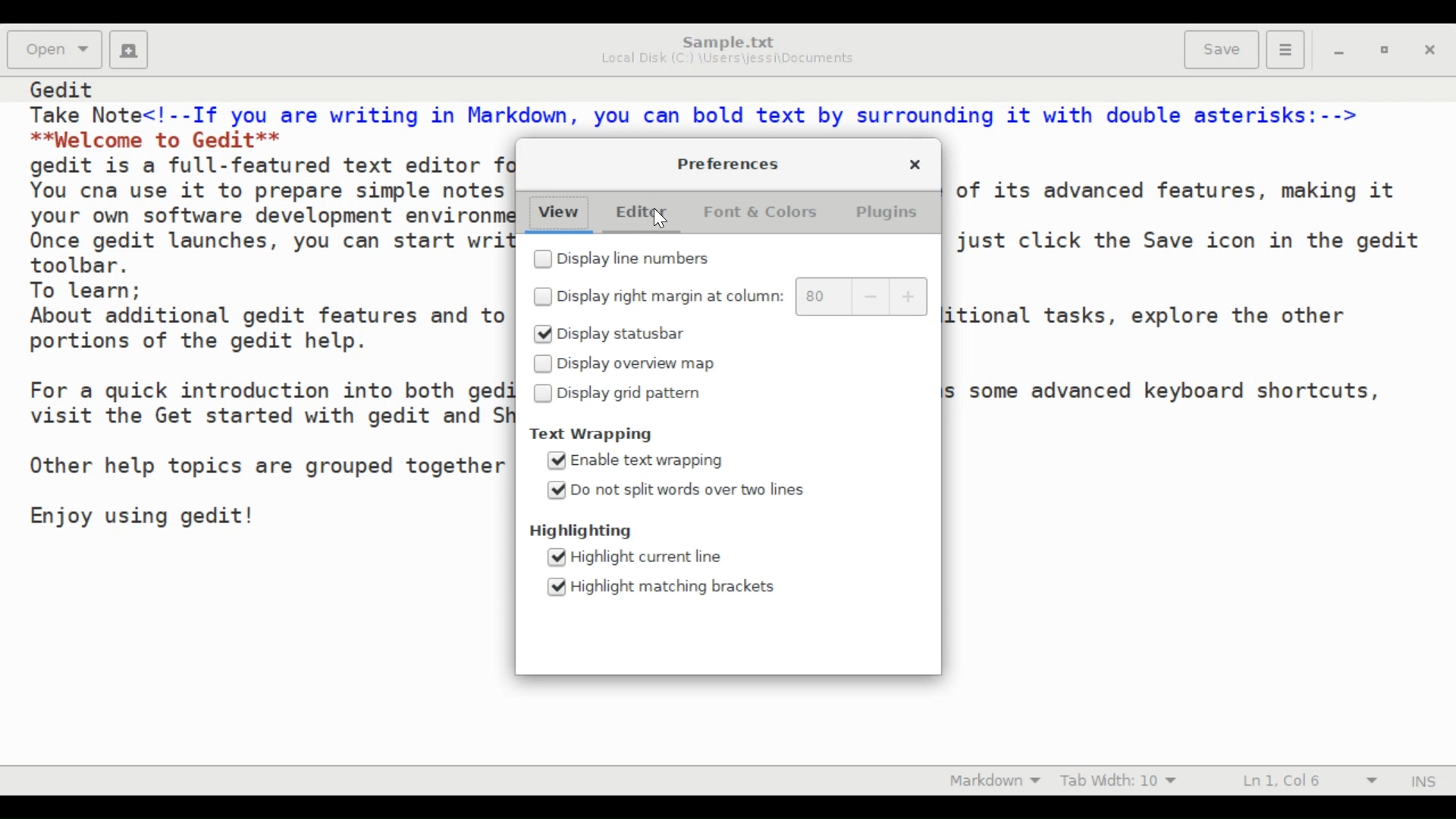 The width and height of the screenshot is (1456, 819). Describe the element at coordinates (911, 297) in the screenshot. I see `increase margin` at that location.